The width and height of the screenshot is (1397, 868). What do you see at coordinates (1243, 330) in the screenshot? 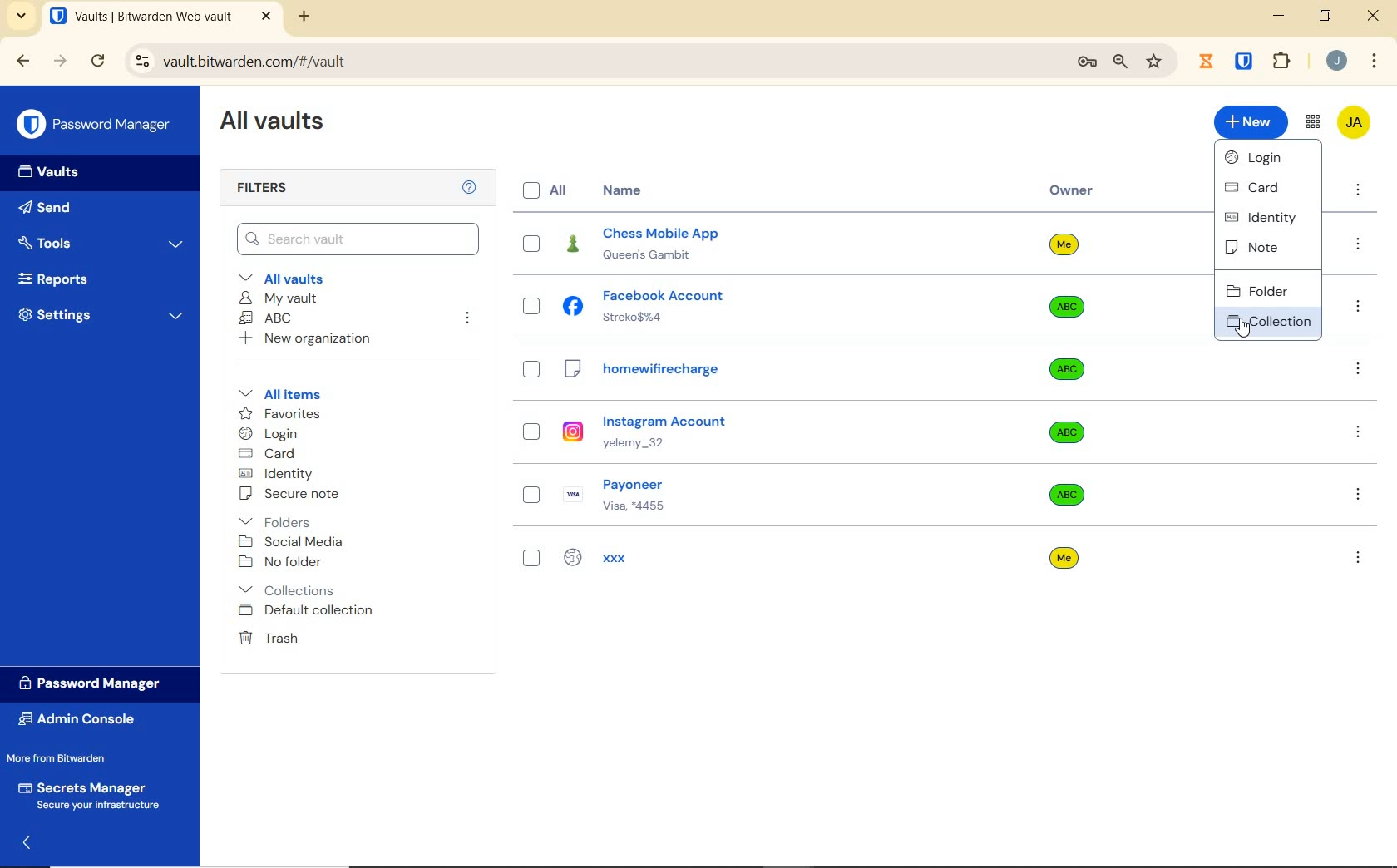
I see `cursor` at bounding box center [1243, 330].